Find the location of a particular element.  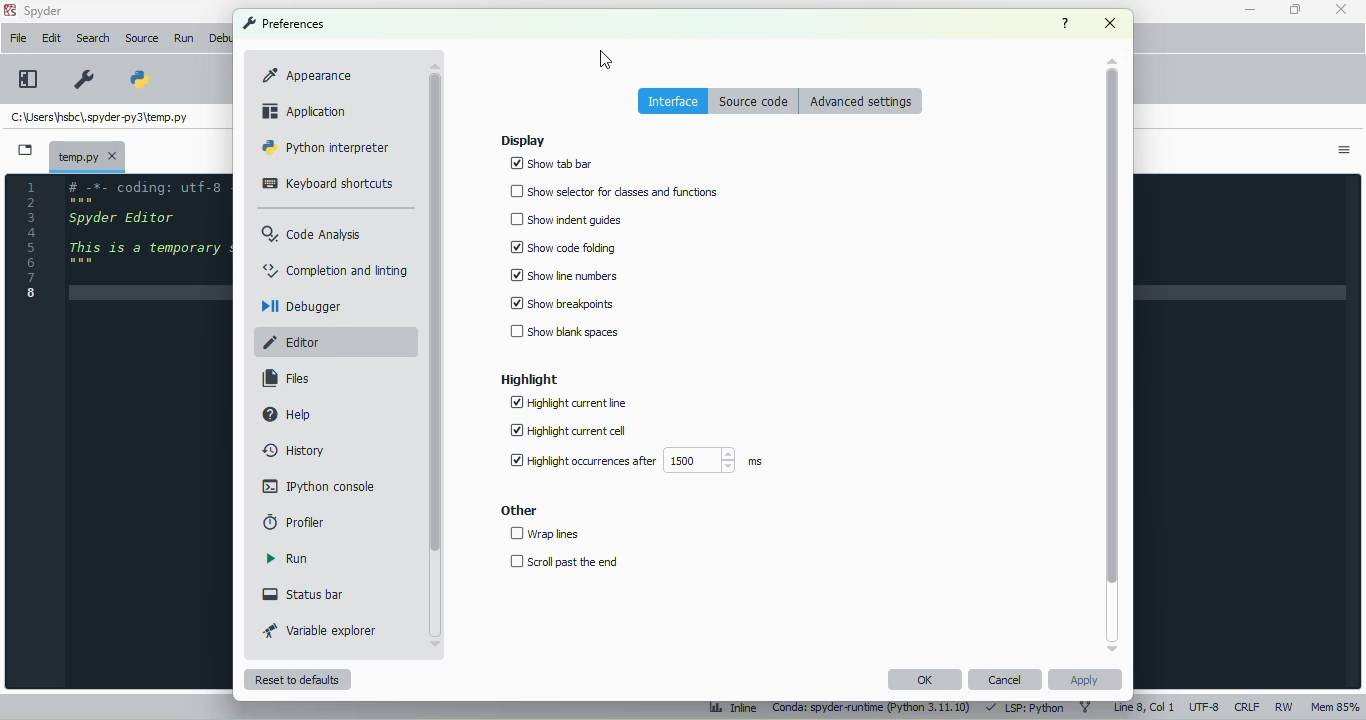

highlight occurrences after 1500 ms is located at coordinates (638, 459).